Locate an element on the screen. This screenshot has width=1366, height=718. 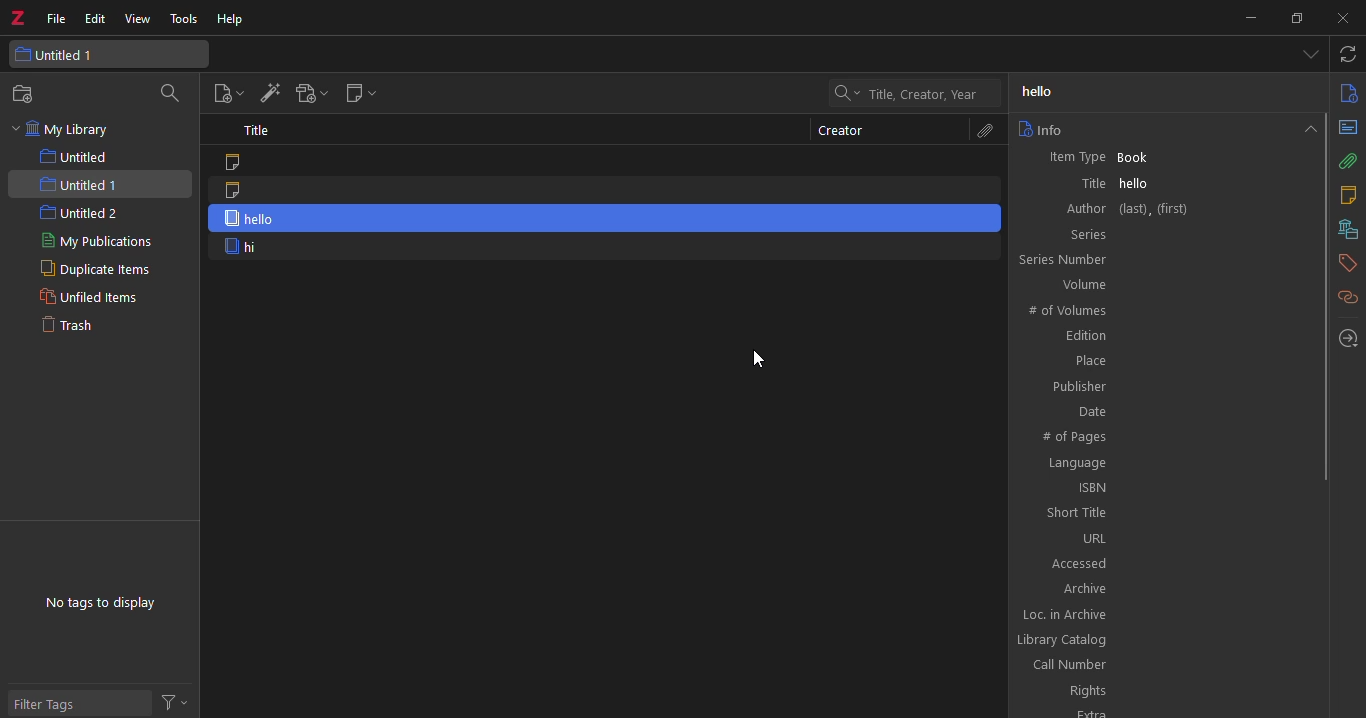
attach is located at coordinates (982, 131).